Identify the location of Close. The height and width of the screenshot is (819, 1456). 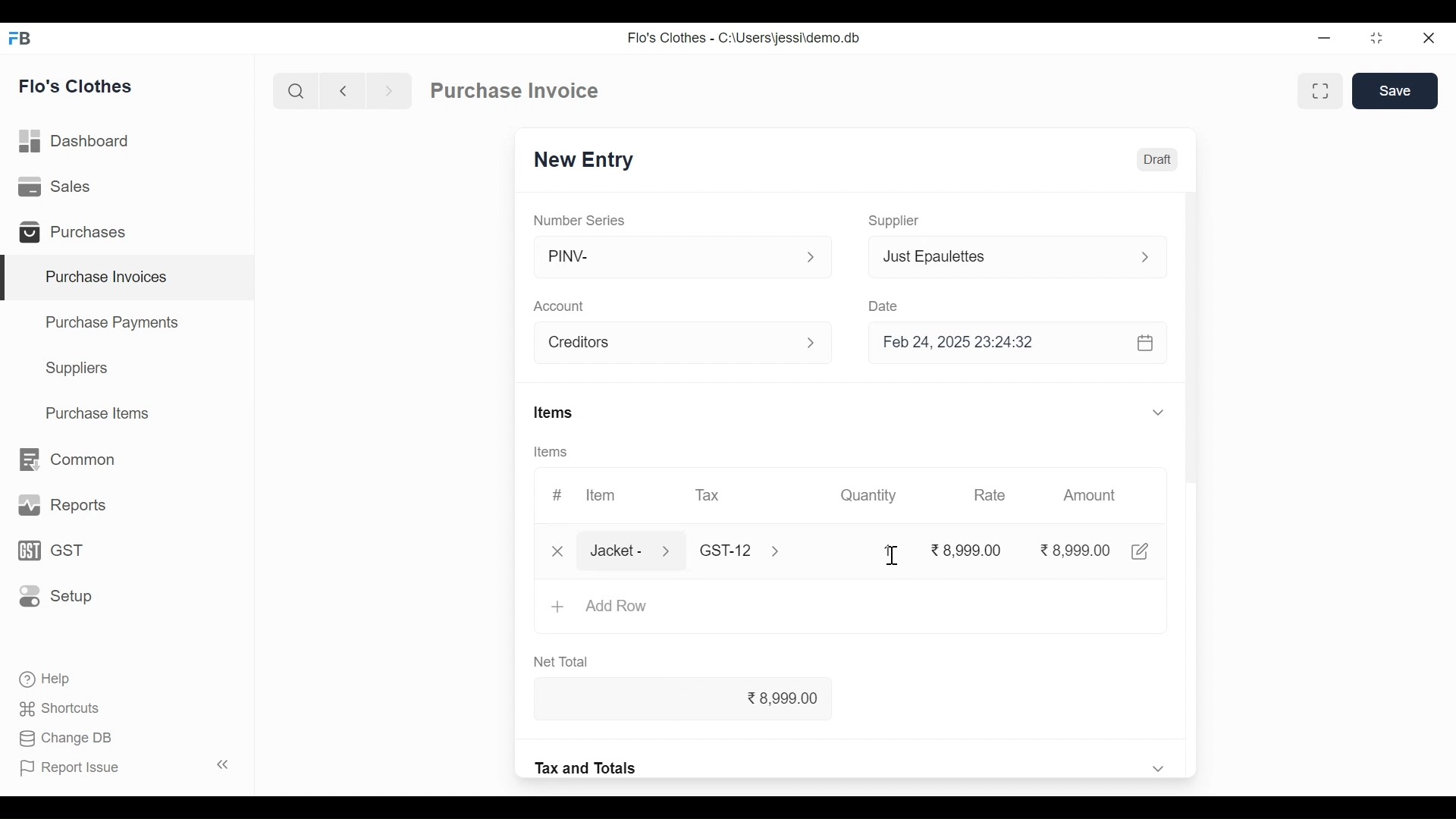
(1429, 38).